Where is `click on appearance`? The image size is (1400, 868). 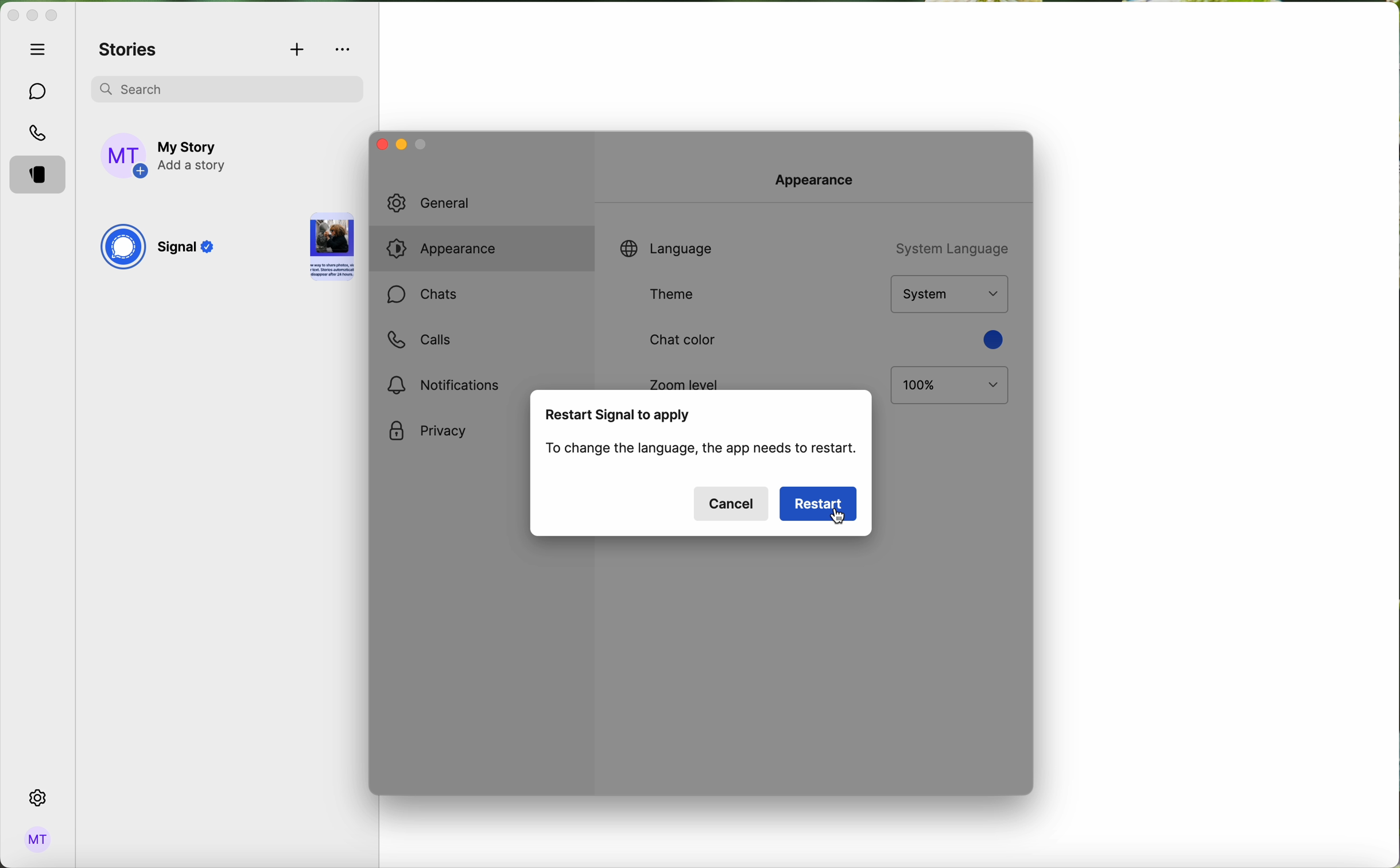
click on appearance is located at coordinates (449, 251).